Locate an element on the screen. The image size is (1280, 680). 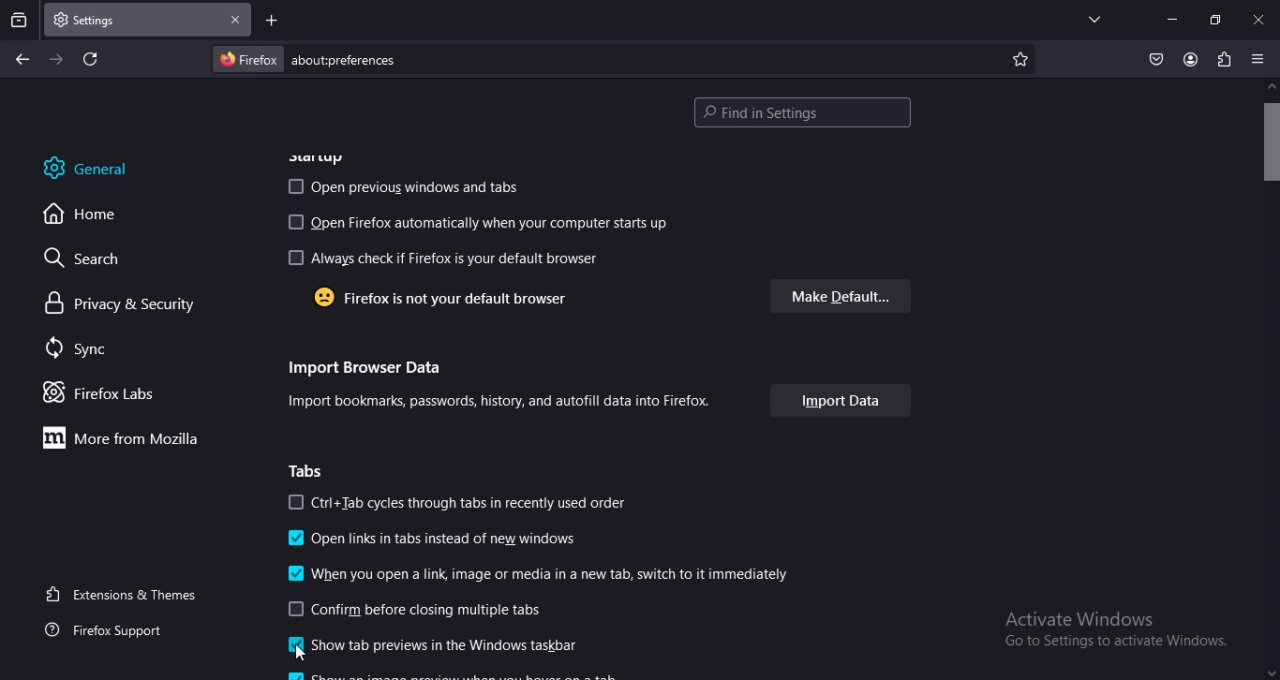
settings - current tab is located at coordinates (96, 21).